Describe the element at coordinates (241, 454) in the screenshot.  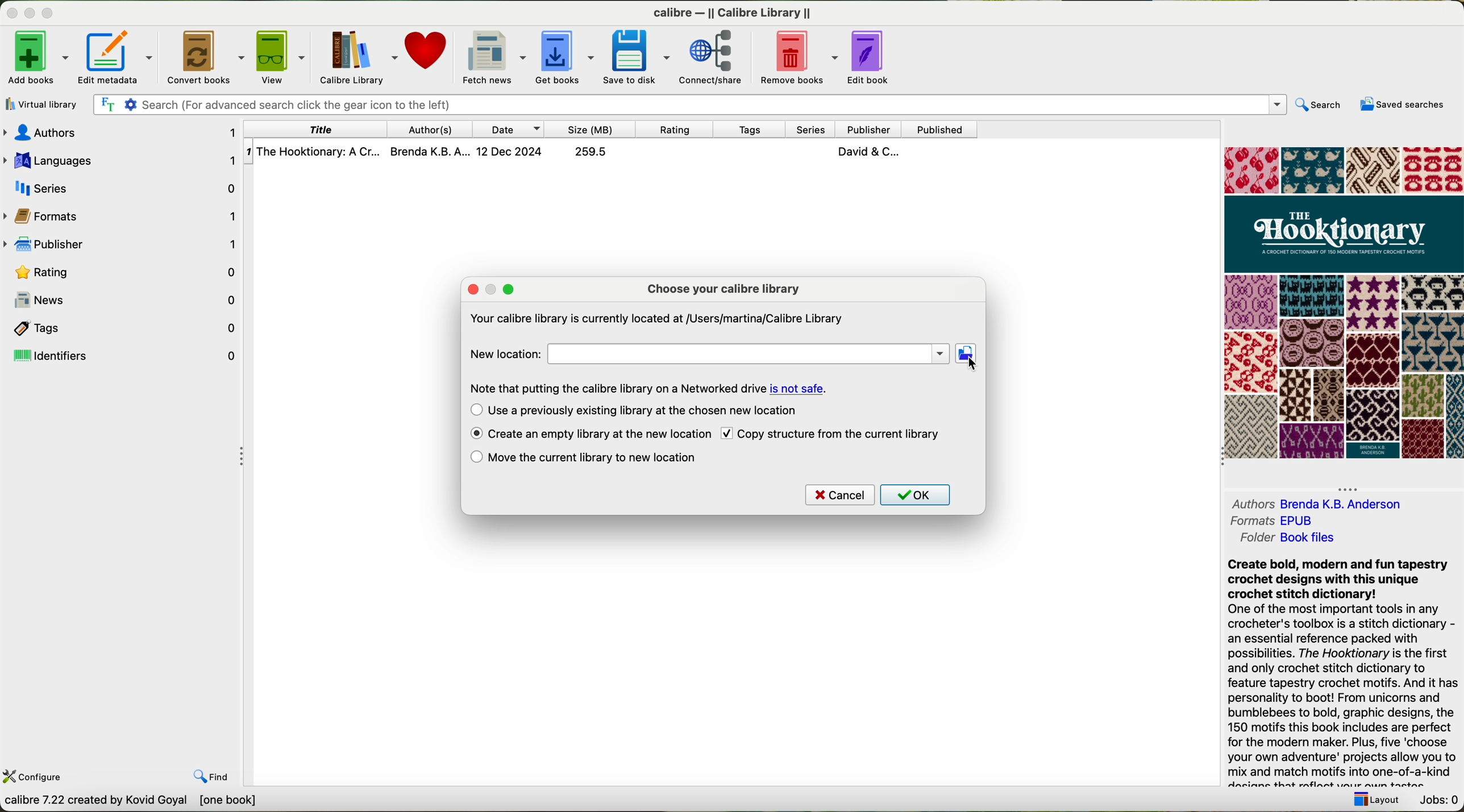
I see `hide` at that location.